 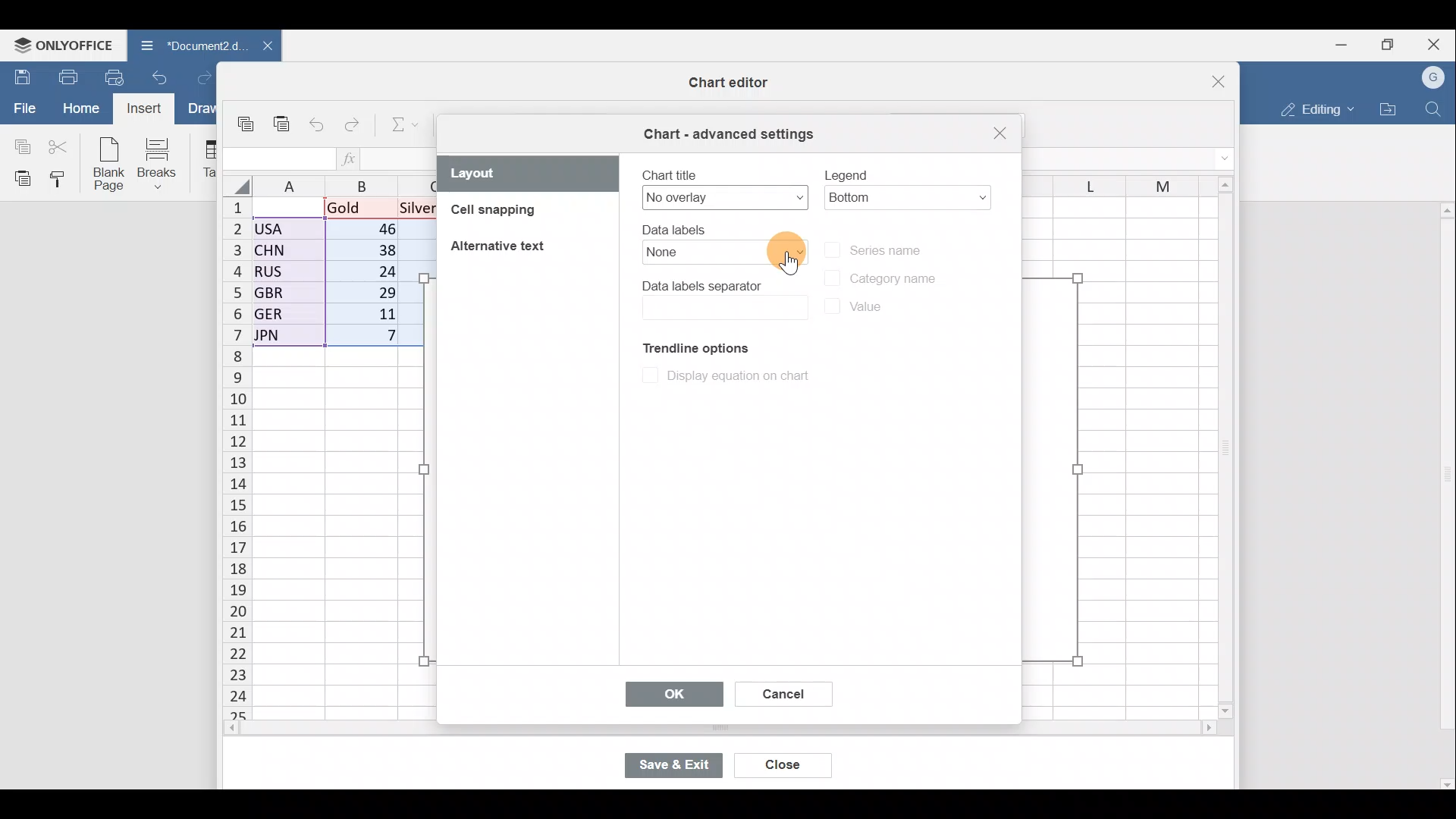 I want to click on Cut, so click(x=59, y=146).